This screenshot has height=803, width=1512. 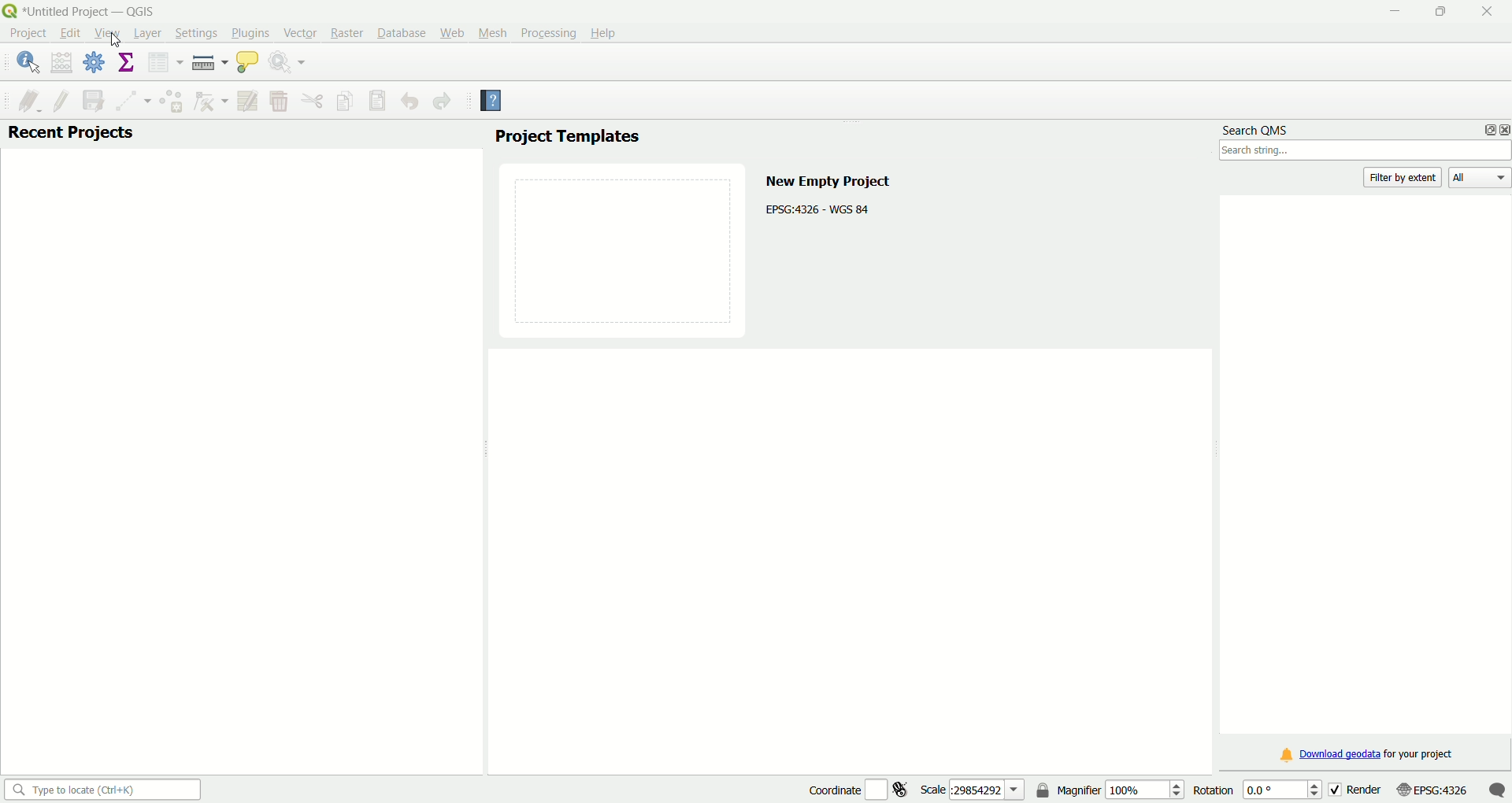 What do you see at coordinates (1431, 788) in the screenshot?
I see `current CRS` at bounding box center [1431, 788].